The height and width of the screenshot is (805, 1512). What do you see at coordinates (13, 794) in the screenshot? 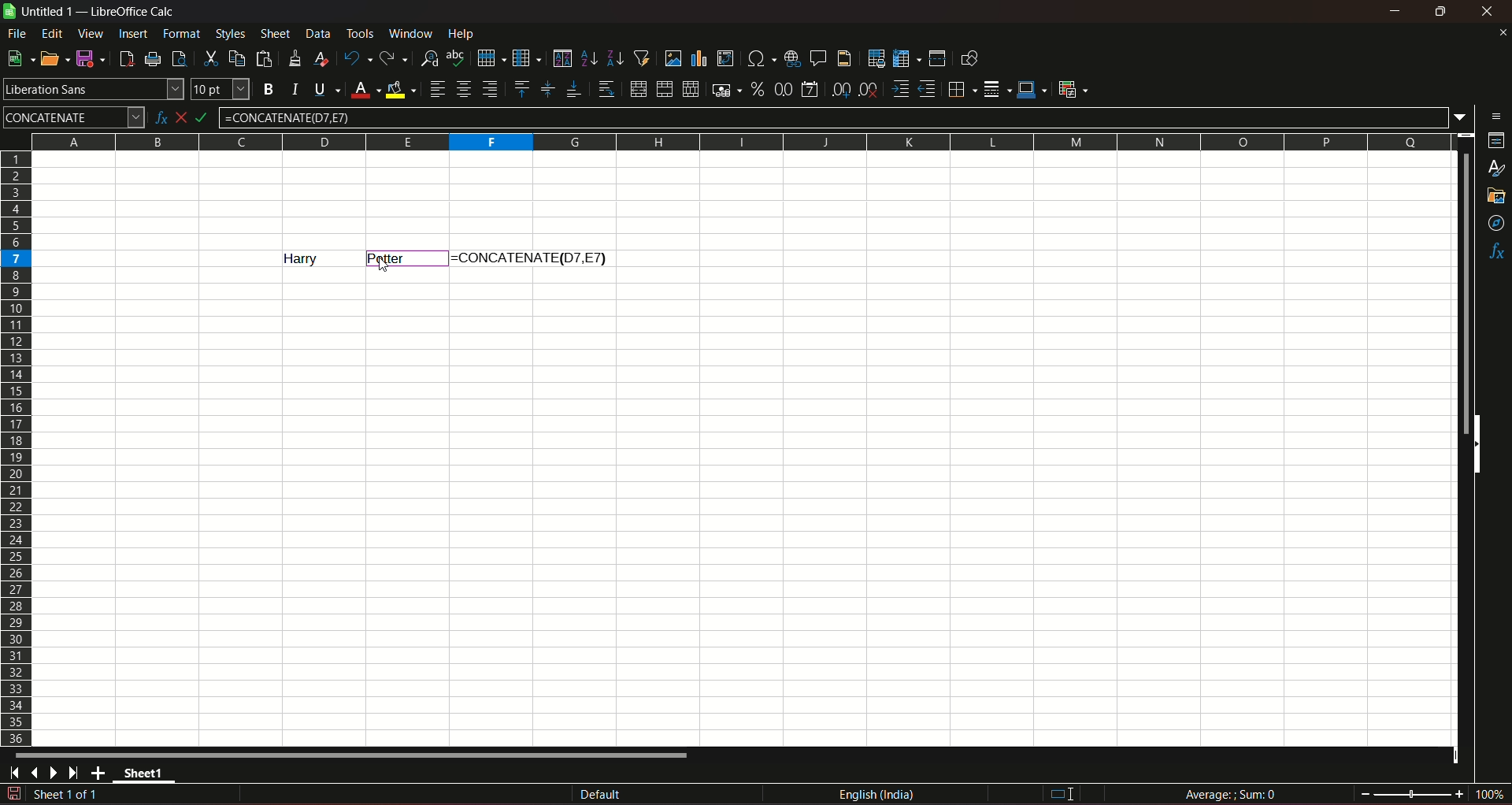
I see `document modified` at bounding box center [13, 794].